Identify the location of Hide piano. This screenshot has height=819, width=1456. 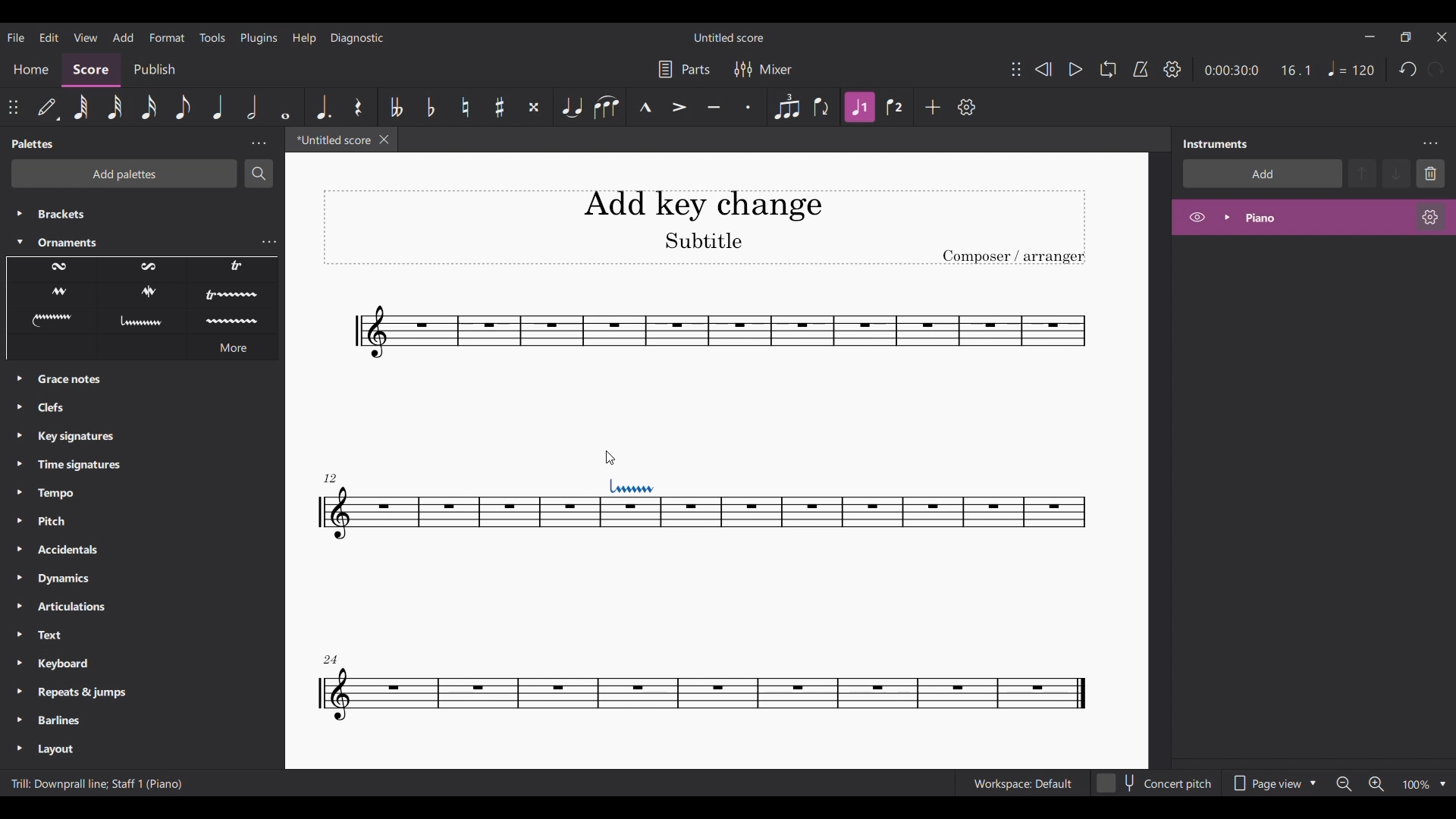
(1197, 217).